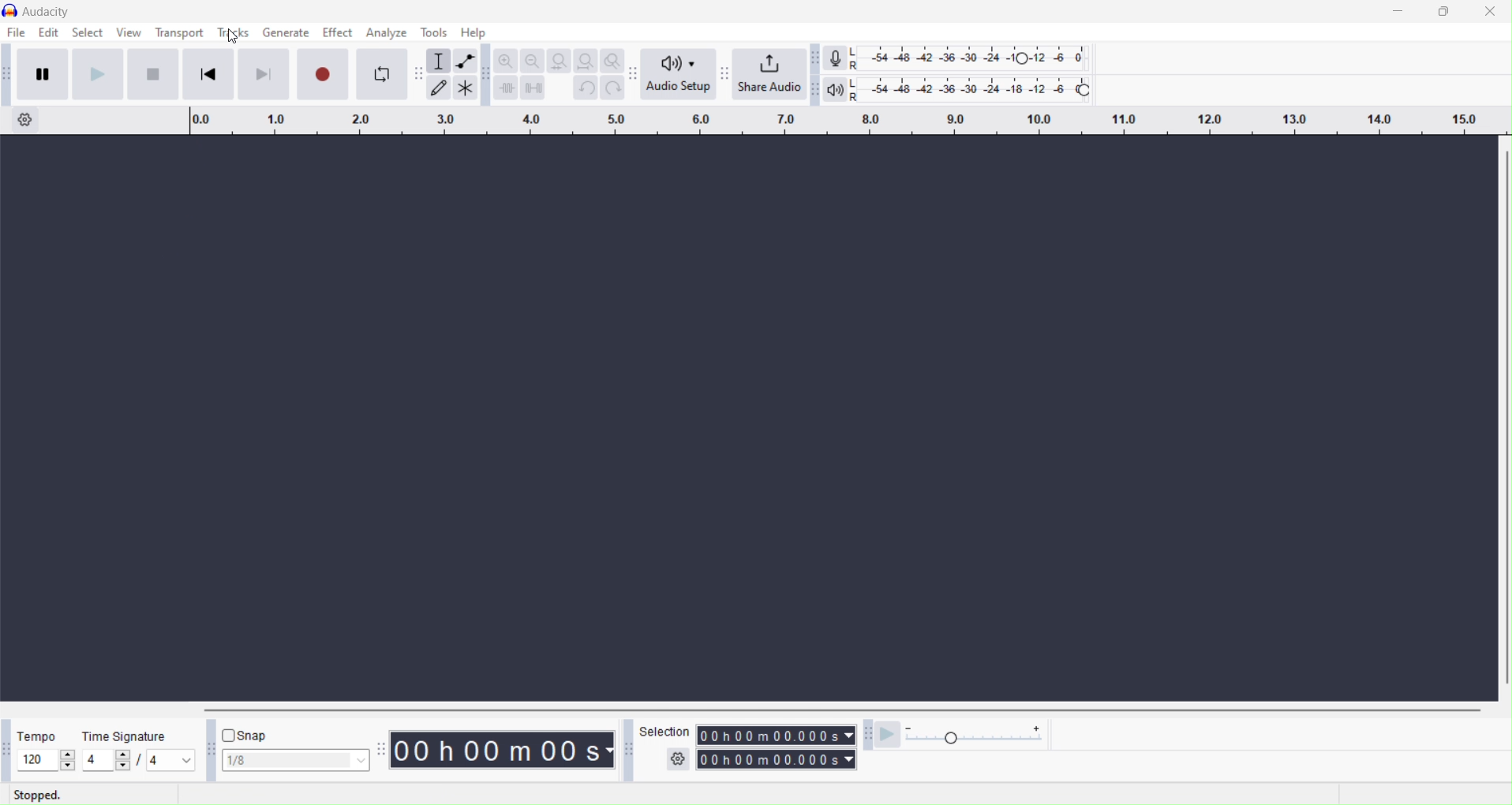 The image size is (1512, 805). Describe the element at coordinates (587, 61) in the screenshot. I see `Fit project to width` at that location.